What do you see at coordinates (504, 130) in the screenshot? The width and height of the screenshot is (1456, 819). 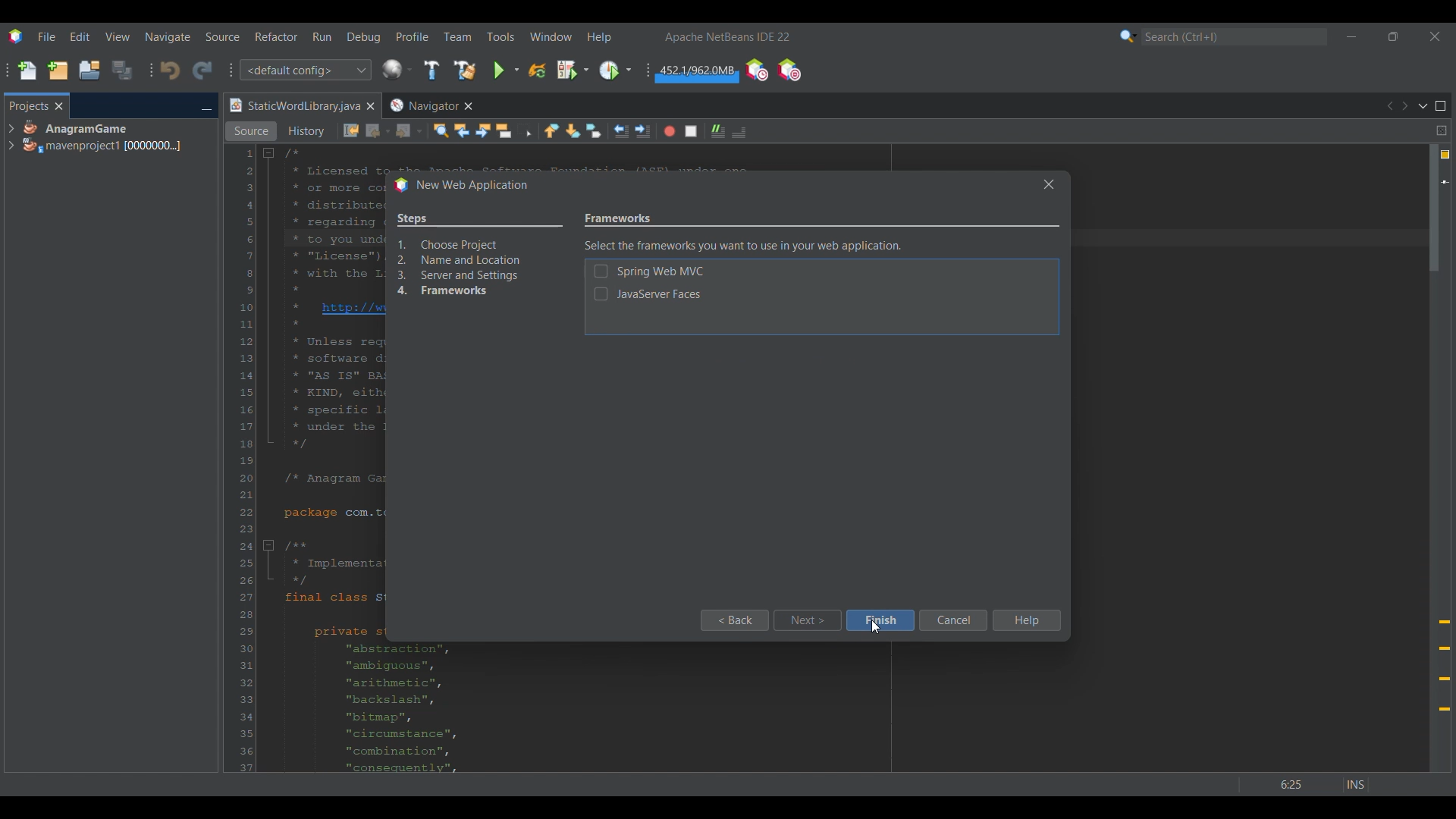 I see `Toggle highlight search` at bounding box center [504, 130].